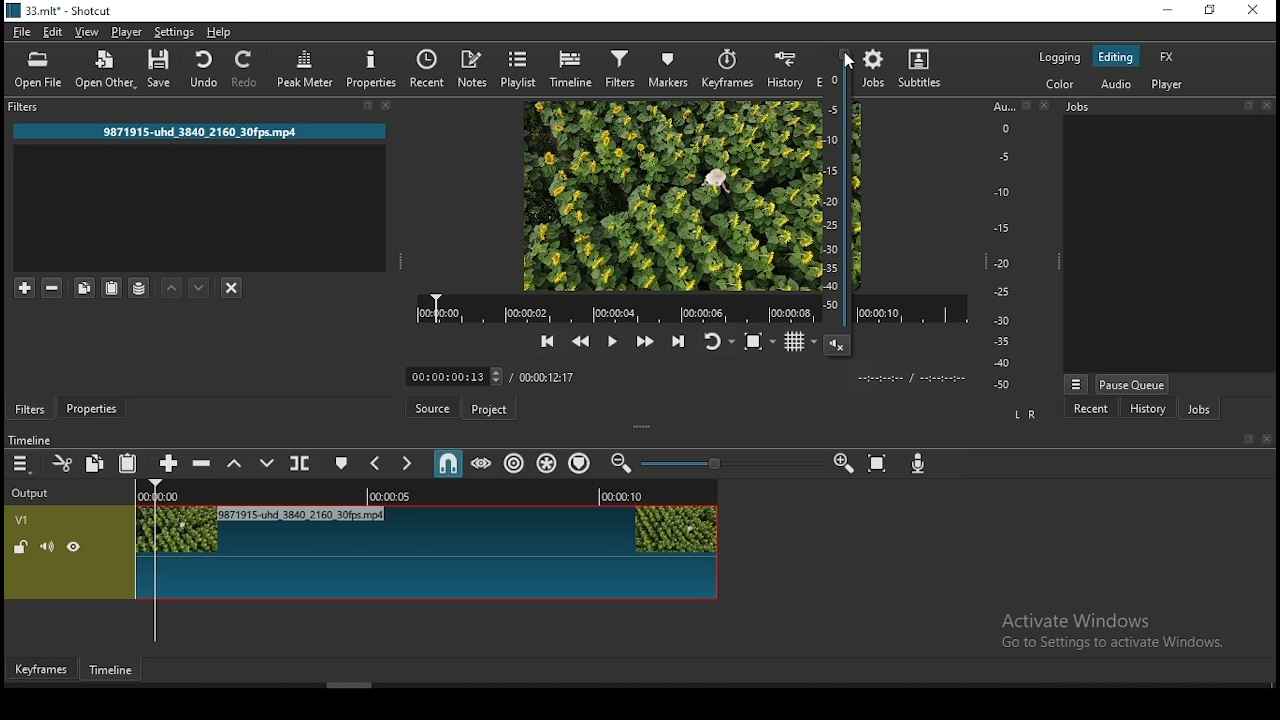 The width and height of the screenshot is (1280, 720). Describe the element at coordinates (111, 287) in the screenshot. I see `paste filter` at that location.